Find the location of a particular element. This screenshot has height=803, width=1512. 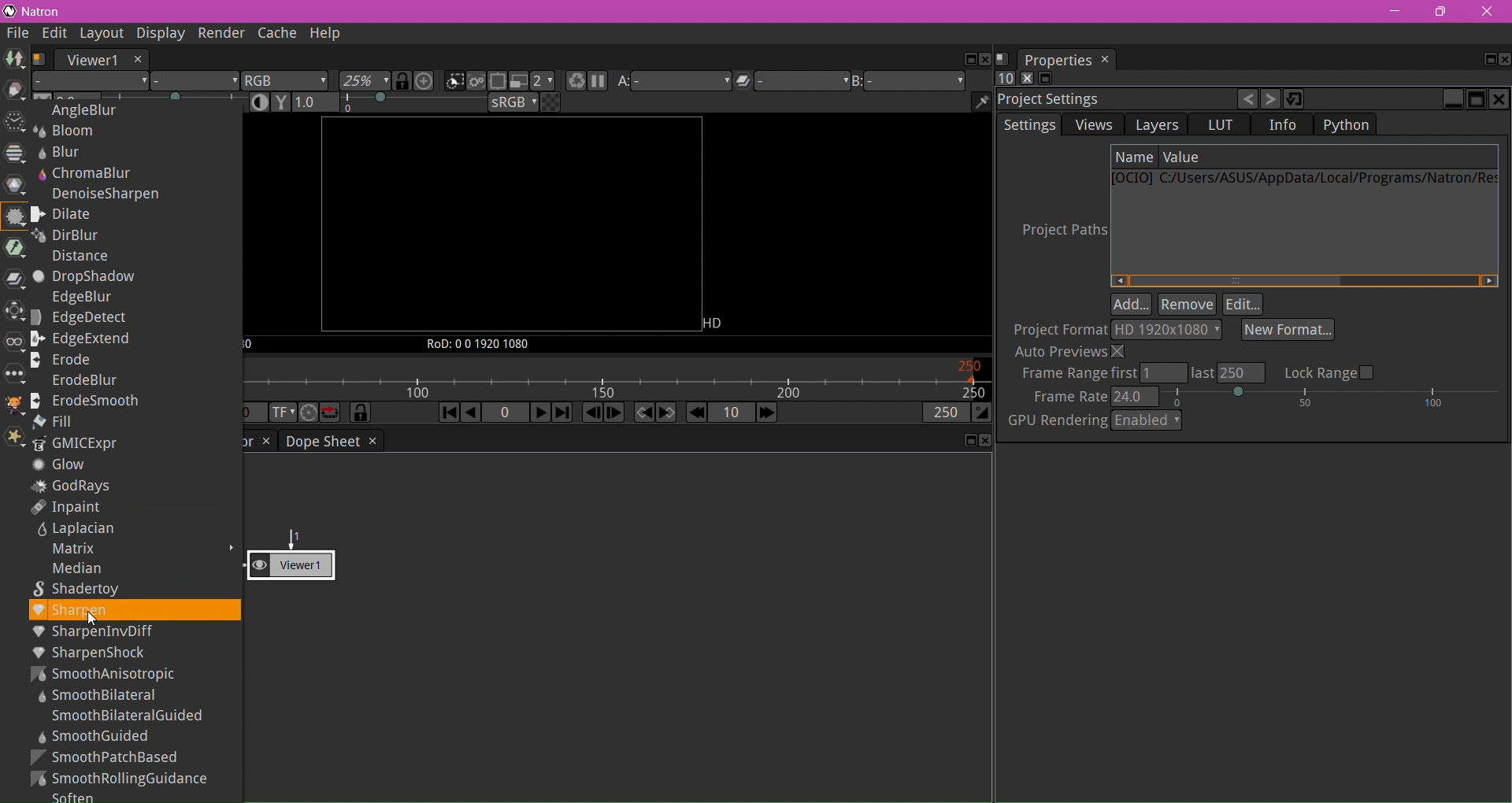

Set the maximum number of panels that can be opened at the same time in the properties bin pane is located at coordinates (1005, 79).